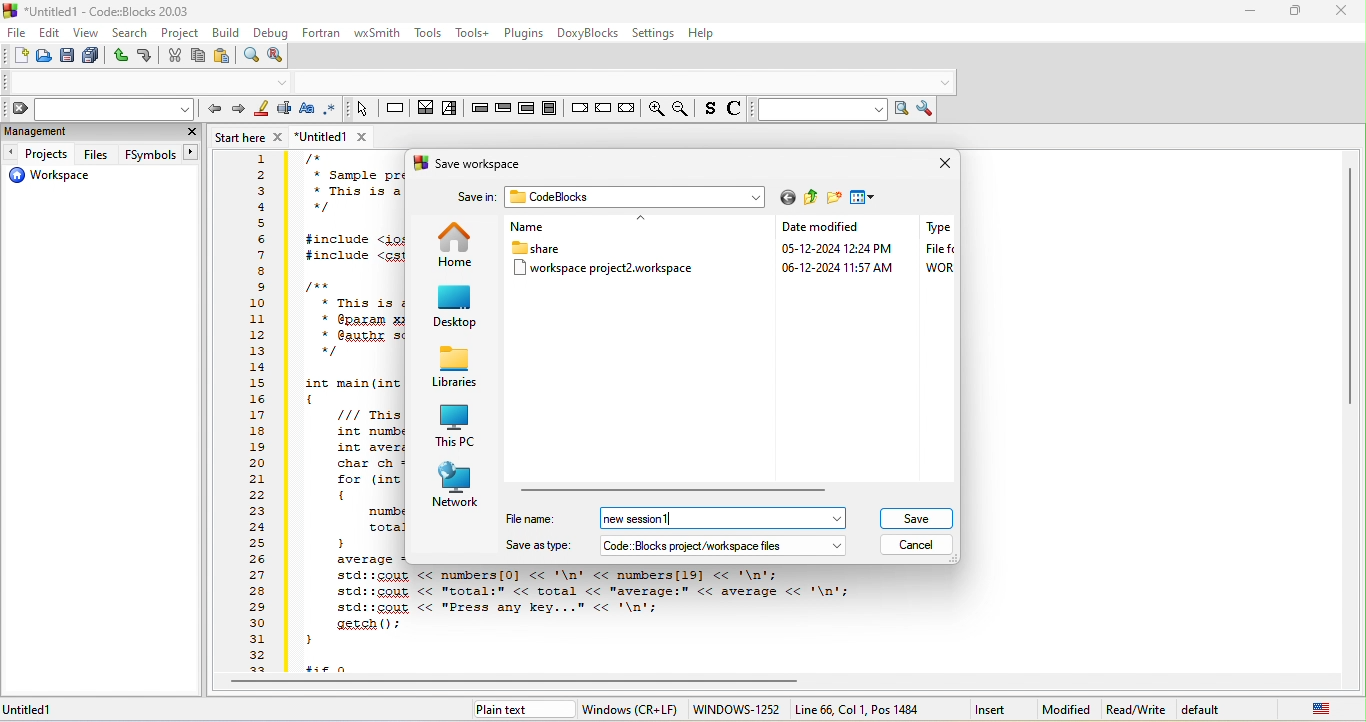 Image resolution: width=1366 pixels, height=722 pixels. What do you see at coordinates (250, 138) in the screenshot?
I see `start here` at bounding box center [250, 138].